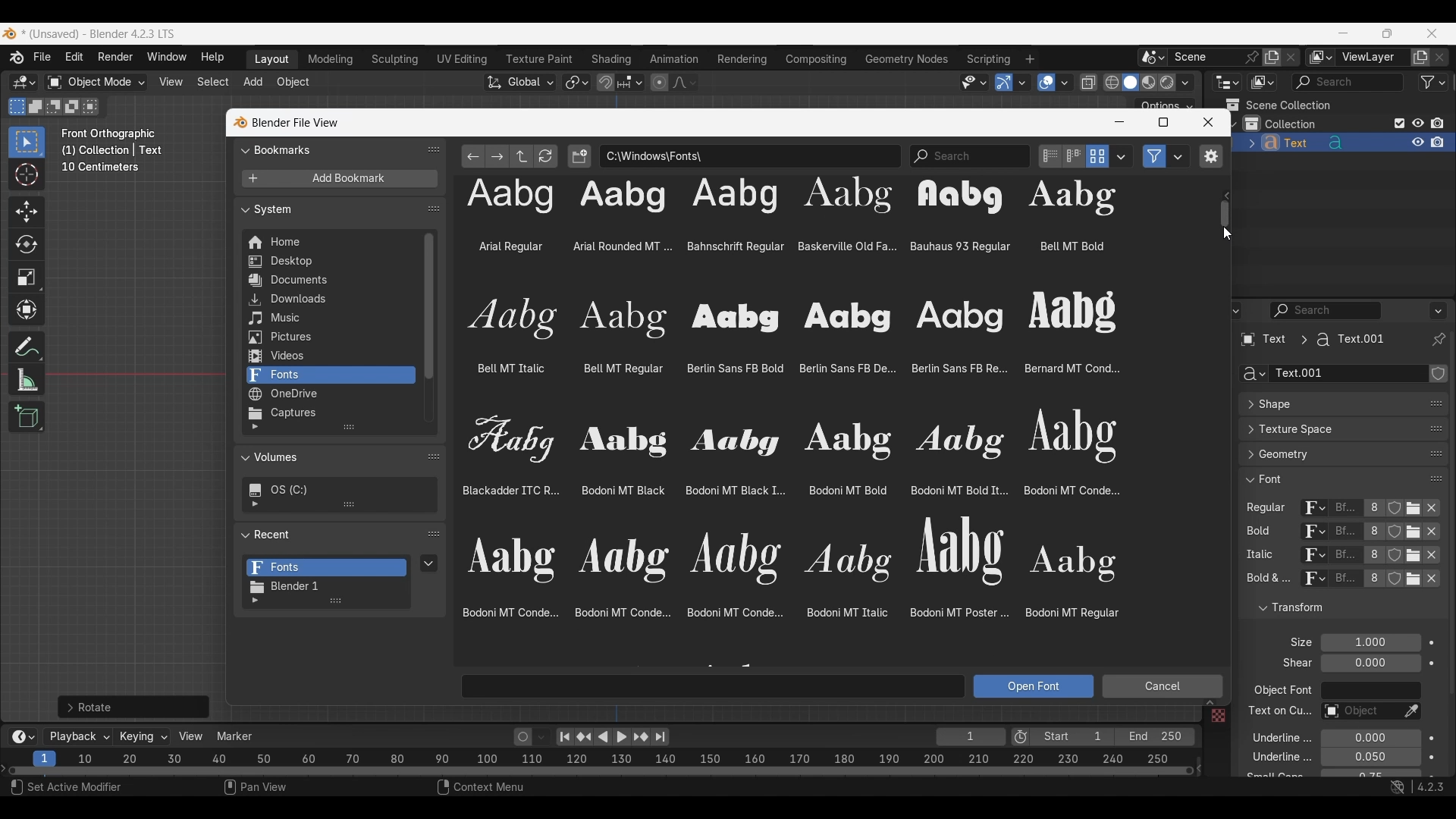  What do you see at coordinates (429, 306) in the screenshot?
I see `Vertical slide bar` at bounding box center [429, 306].